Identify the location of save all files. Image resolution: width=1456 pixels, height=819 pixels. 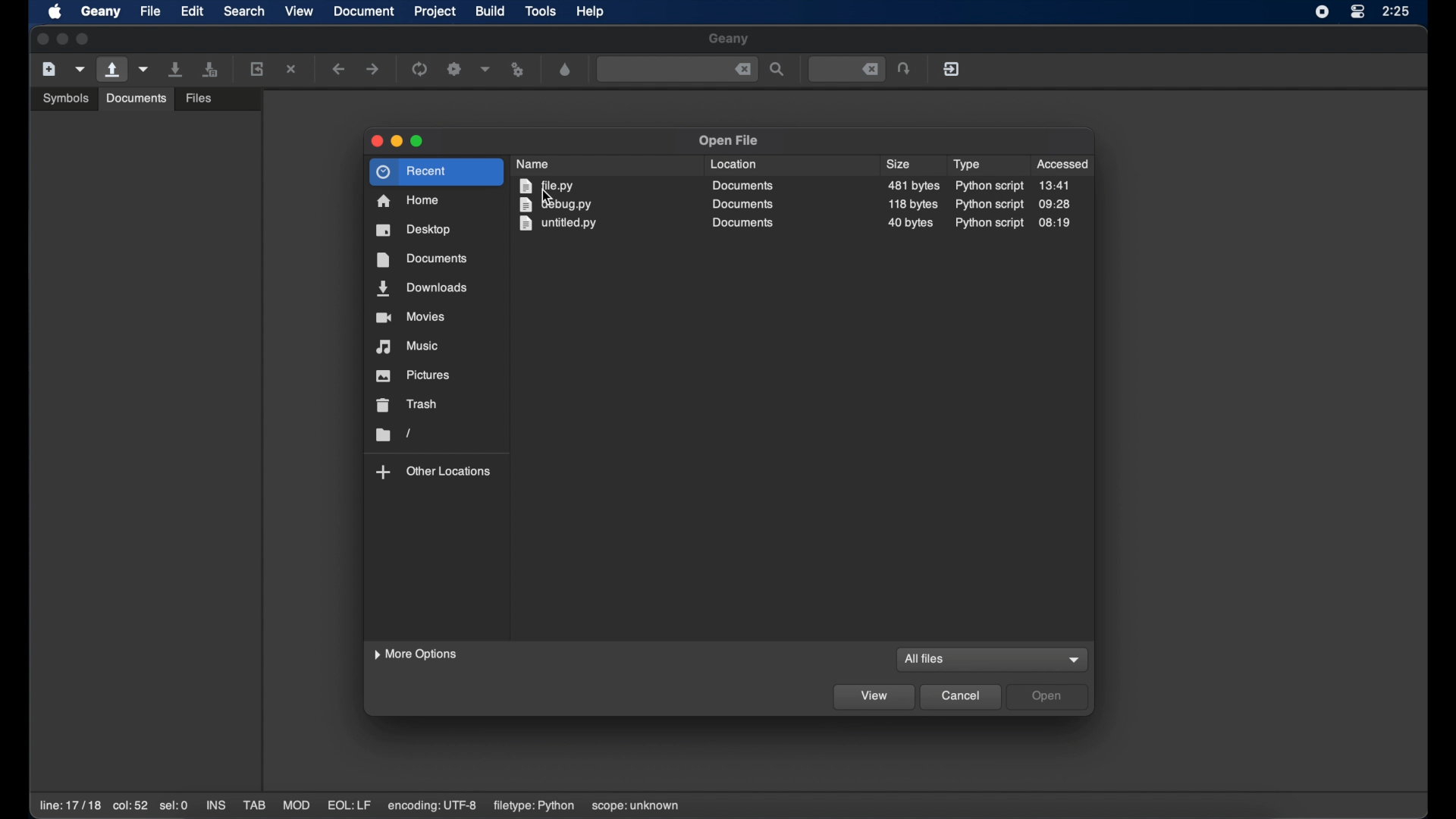
(211, 70).